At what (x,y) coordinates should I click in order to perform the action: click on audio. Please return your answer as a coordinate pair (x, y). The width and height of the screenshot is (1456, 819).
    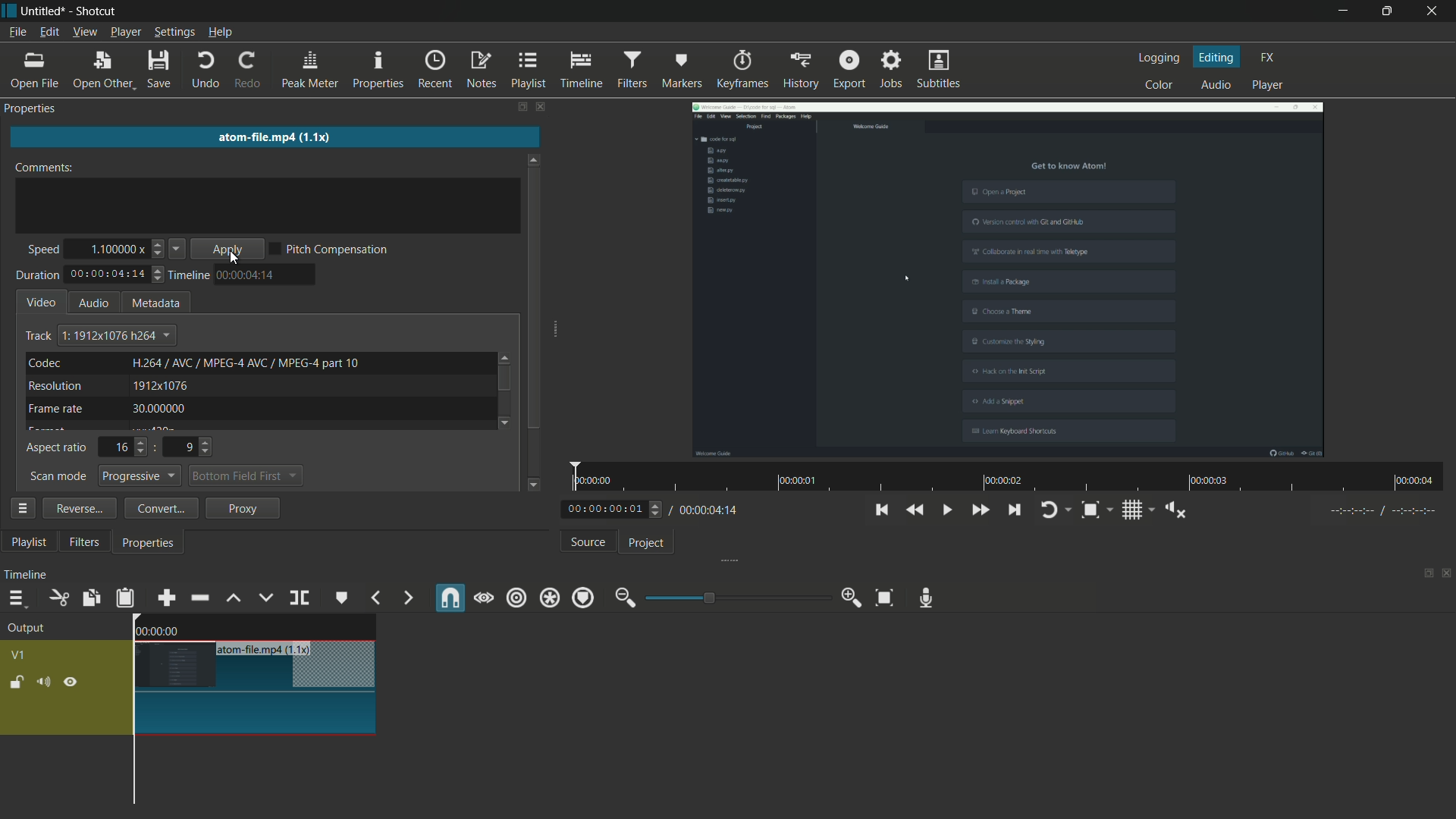
    Looking at the image, I should click on (1218, 84).